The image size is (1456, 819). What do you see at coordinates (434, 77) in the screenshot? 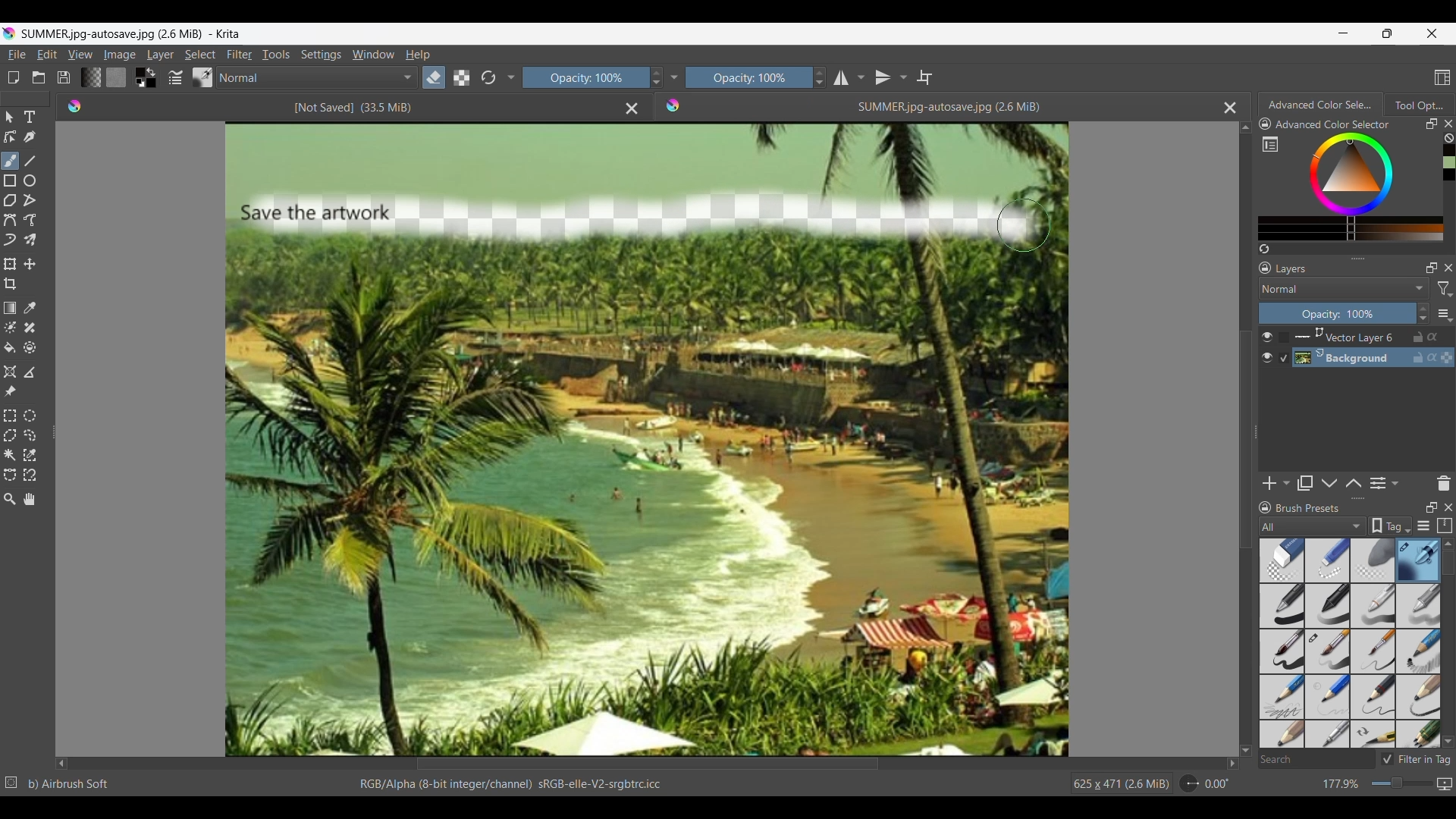
I see `Set eraser mode` at bounding box center [434, 77].